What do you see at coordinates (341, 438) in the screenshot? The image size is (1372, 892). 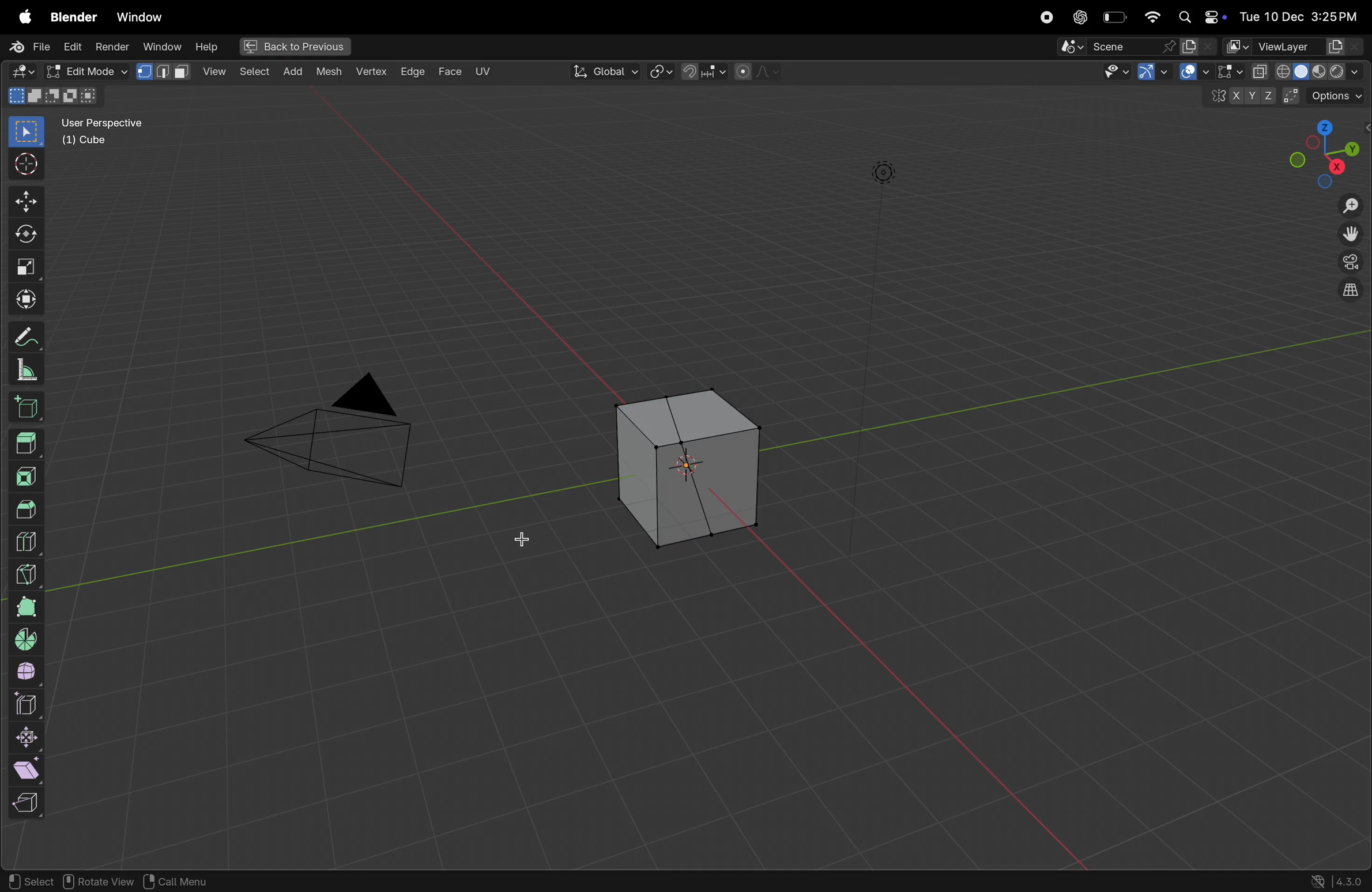 I see `camera` at bounding box center [341, 438].